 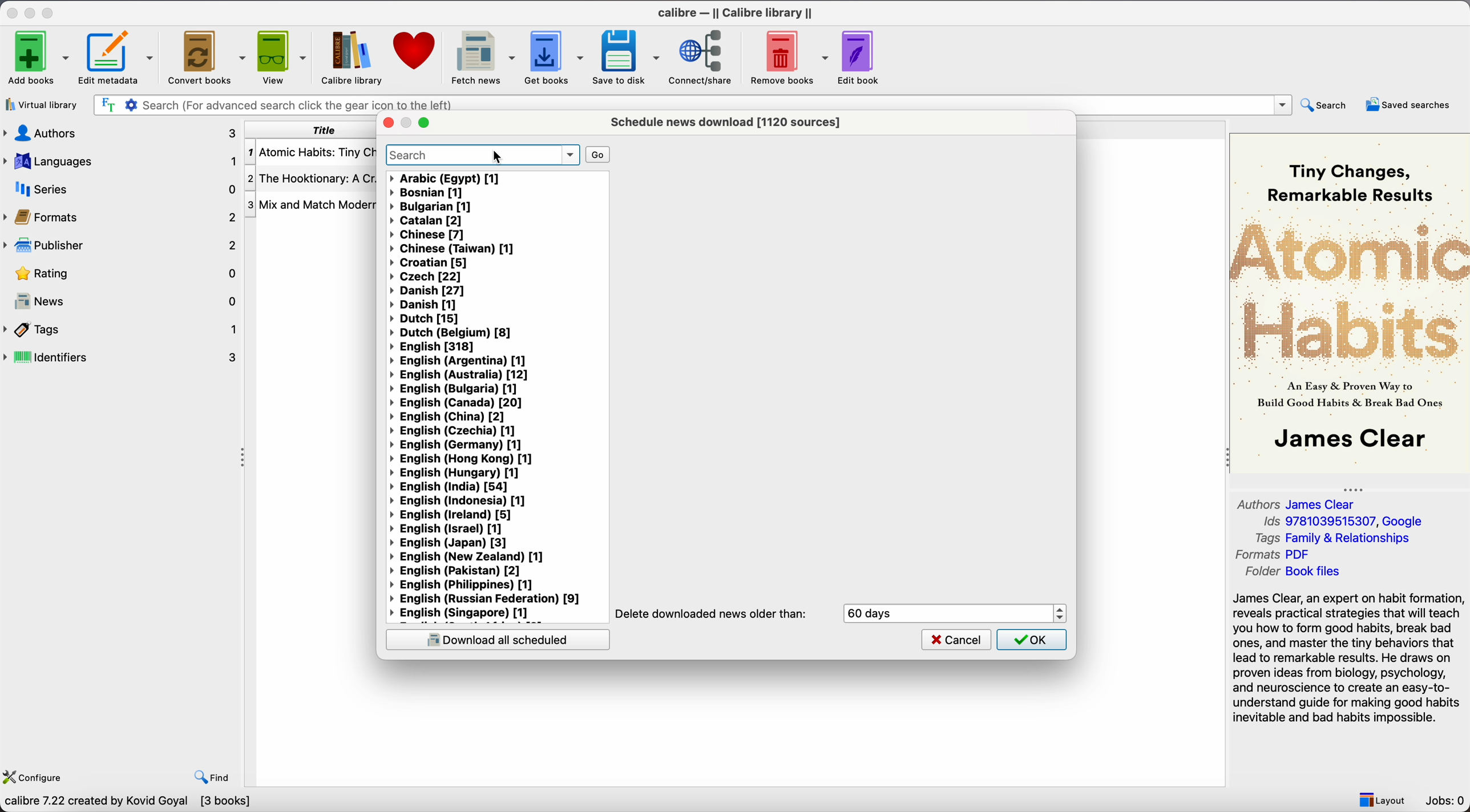 I want to click on Mix and Match Modern... , so click(x=312, y=205).